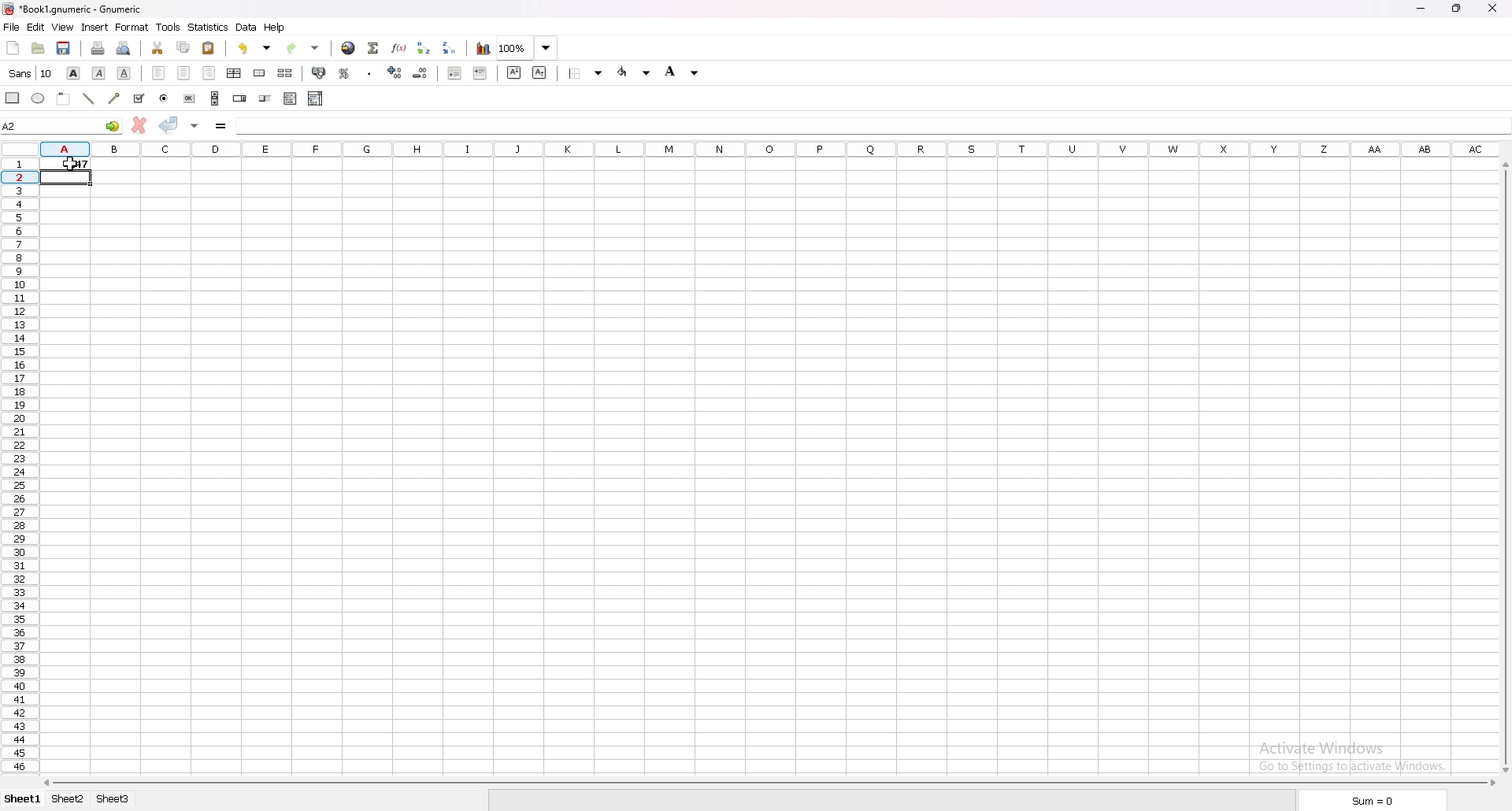 This screenshot has width=1512, height=811. What do you see at coordinates (873, 124) in the screenshot?
I see `cell input` at bounding box center [873, 124].